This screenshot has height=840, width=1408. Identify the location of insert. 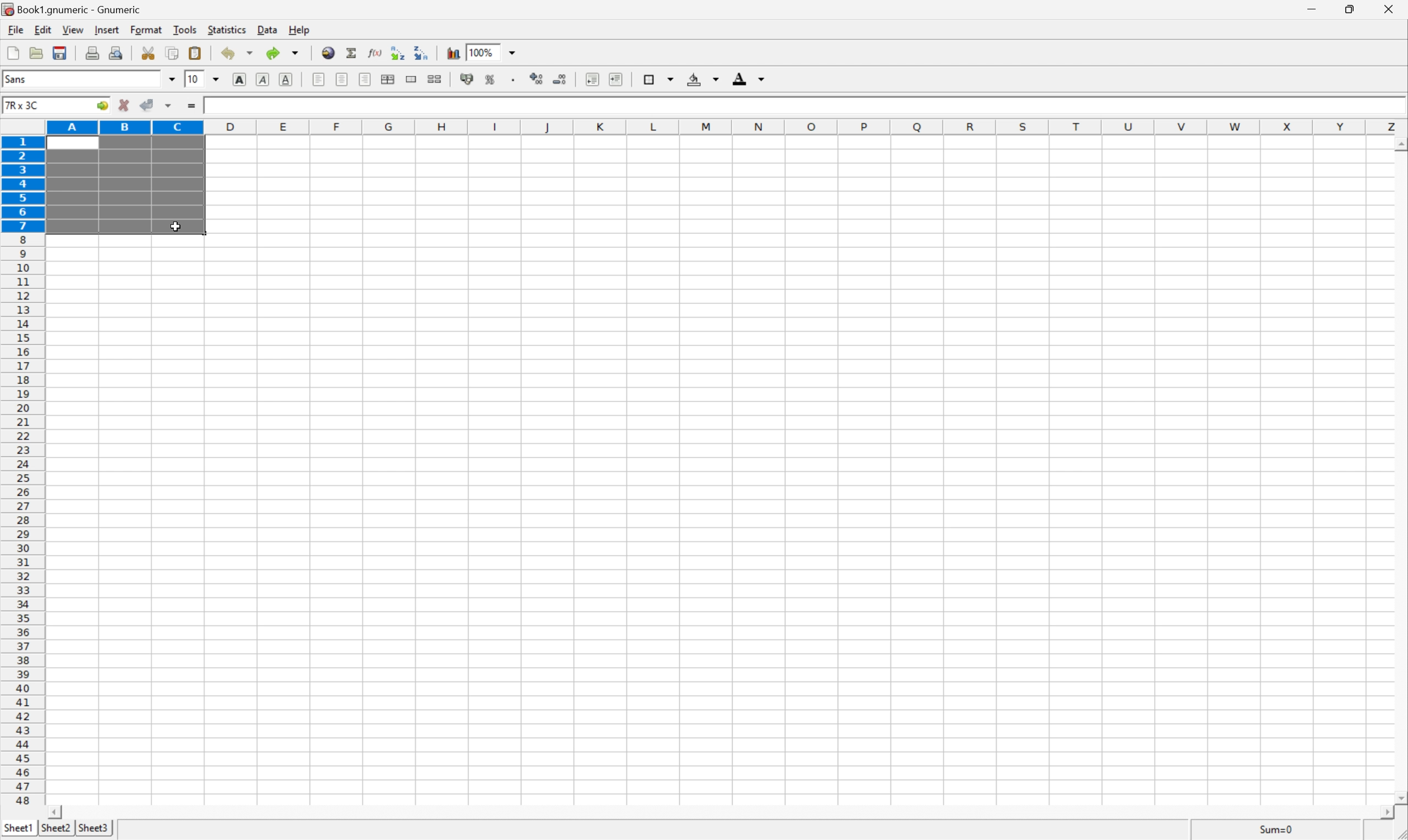
(106, 30).